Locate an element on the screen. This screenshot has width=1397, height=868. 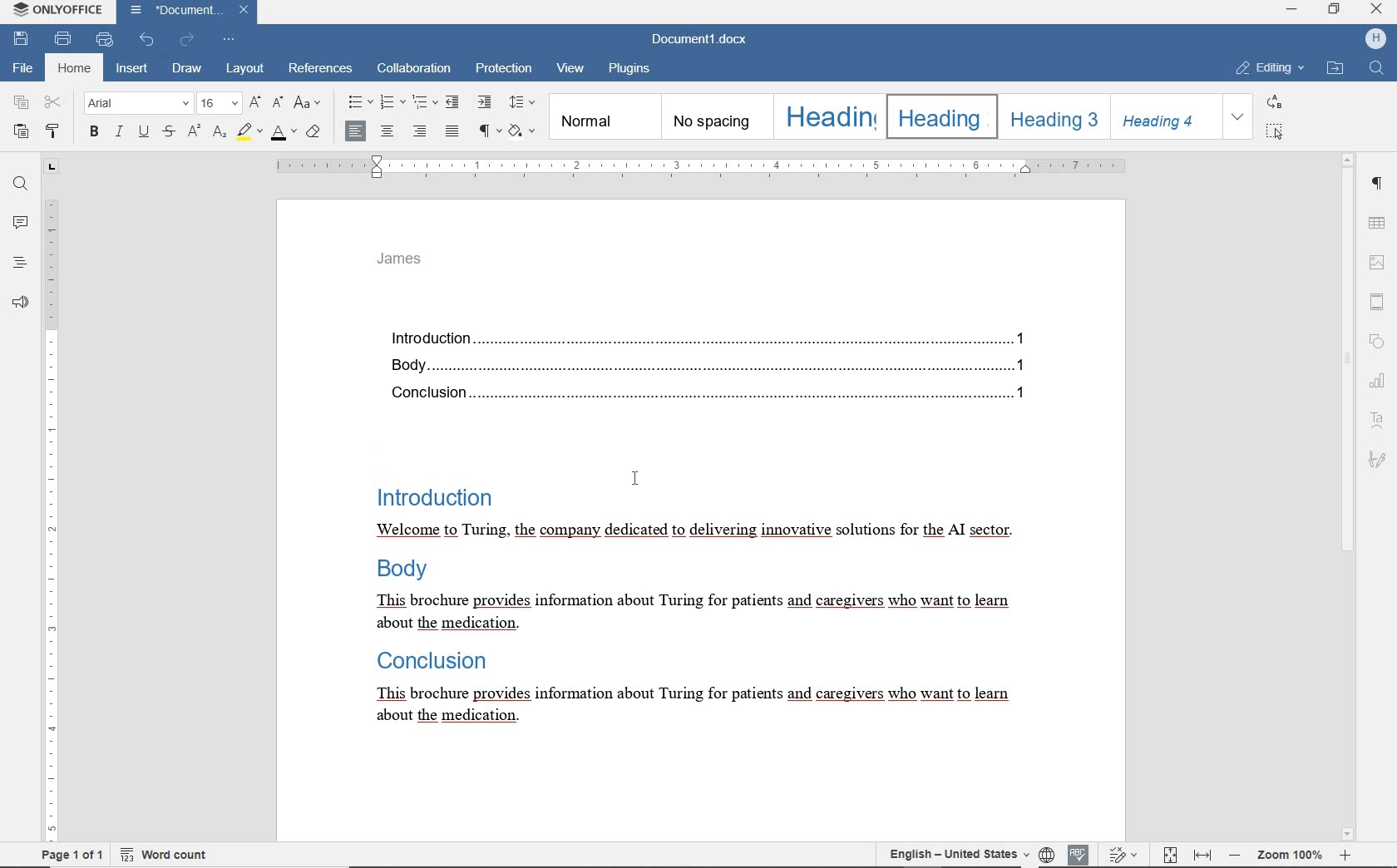
font color is located at coordinates (285, 131).